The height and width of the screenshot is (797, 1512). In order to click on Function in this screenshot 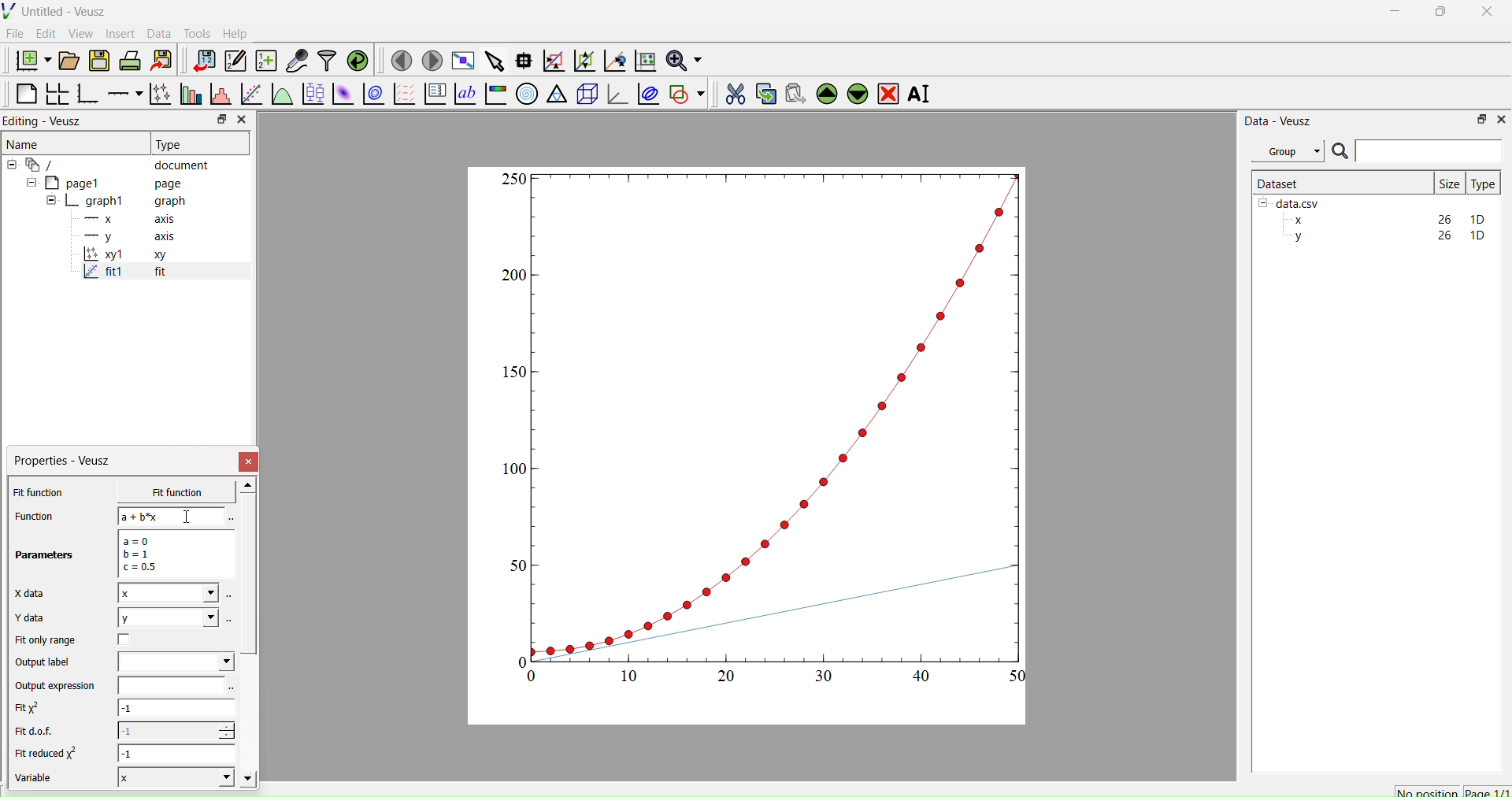, I will do `click(32, 516)`.